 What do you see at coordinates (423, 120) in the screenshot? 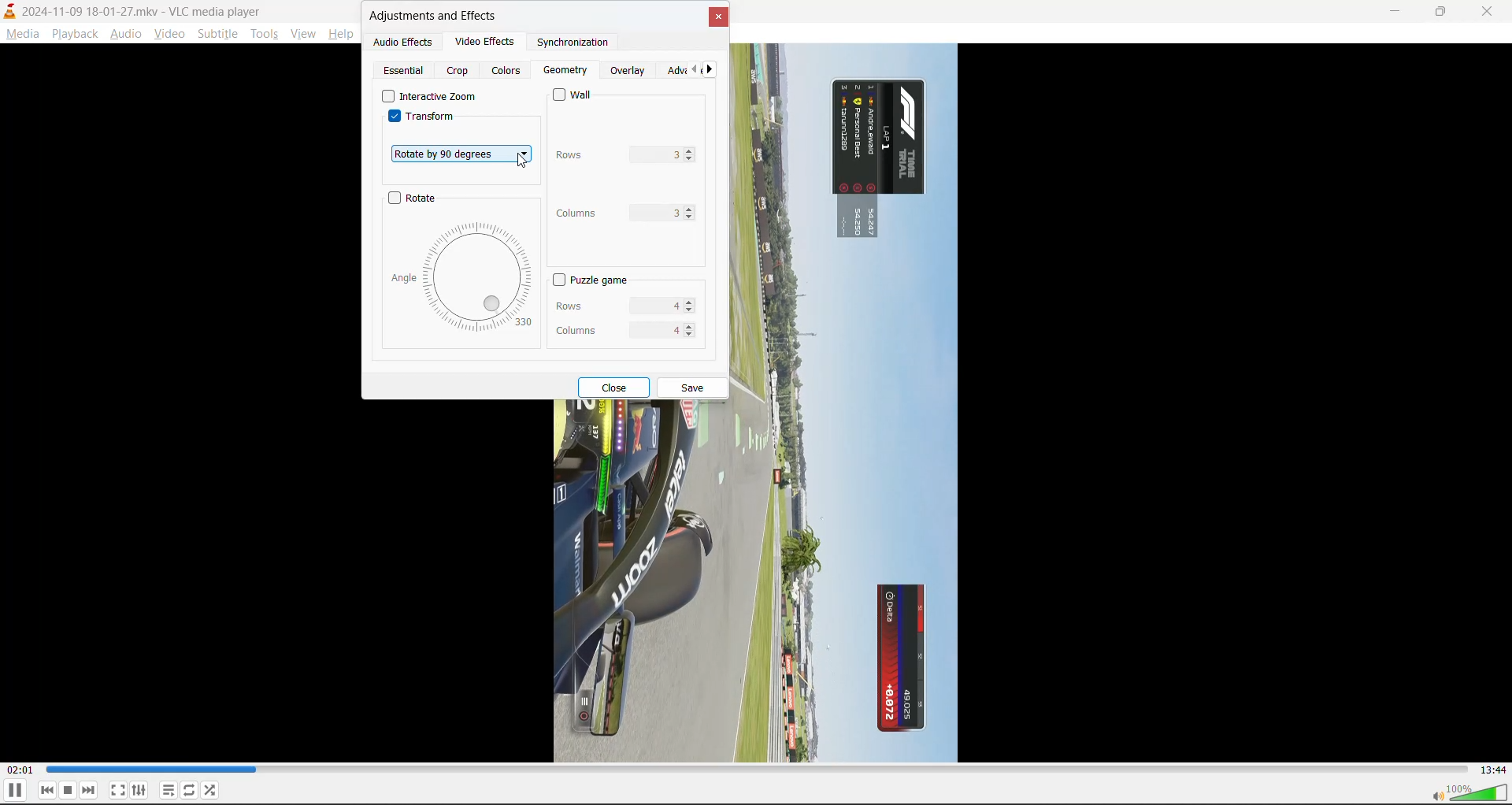
I see `transform` at bounding box center [423, 120].